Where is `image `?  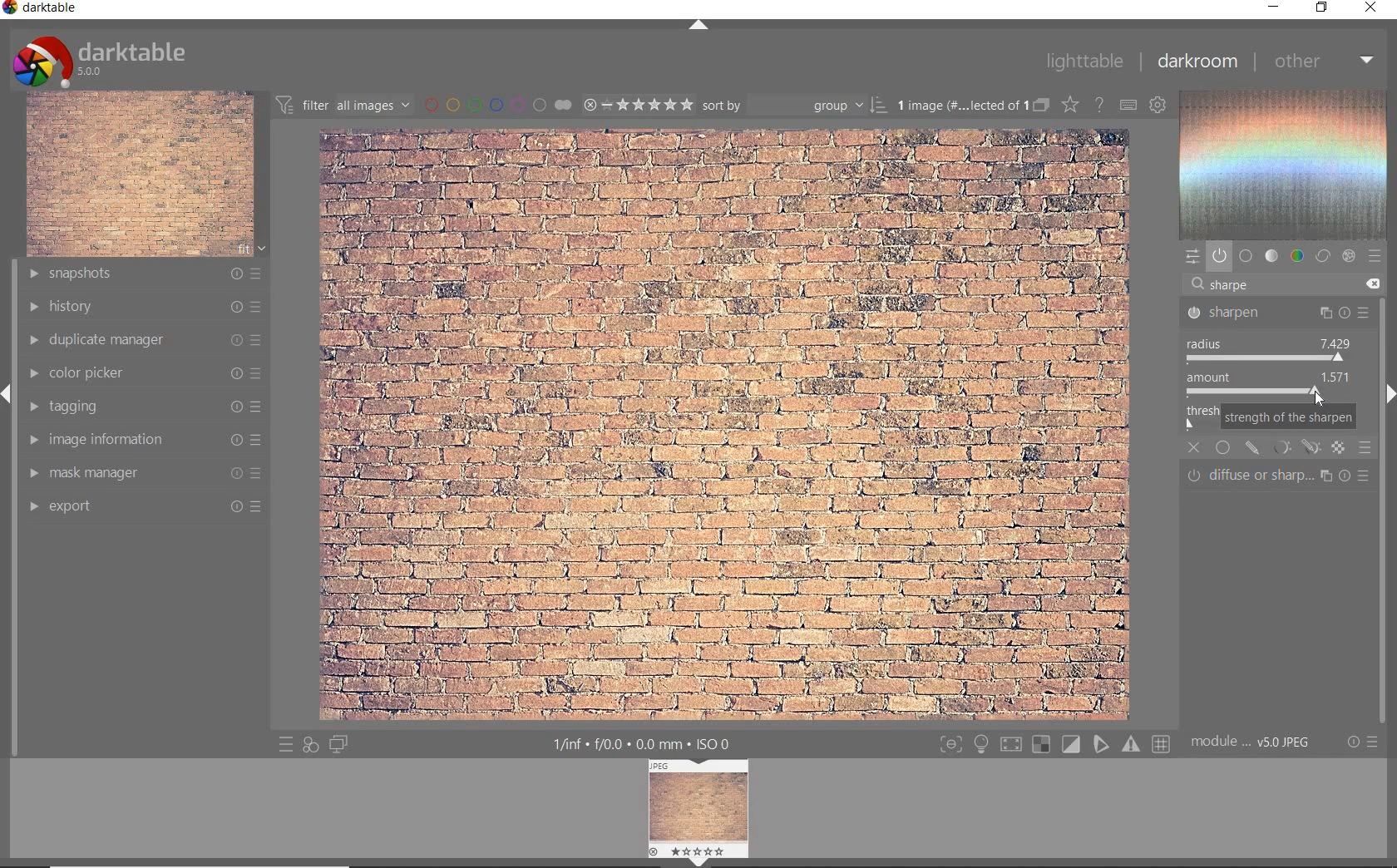 image  is located at coordinates (140, 175).